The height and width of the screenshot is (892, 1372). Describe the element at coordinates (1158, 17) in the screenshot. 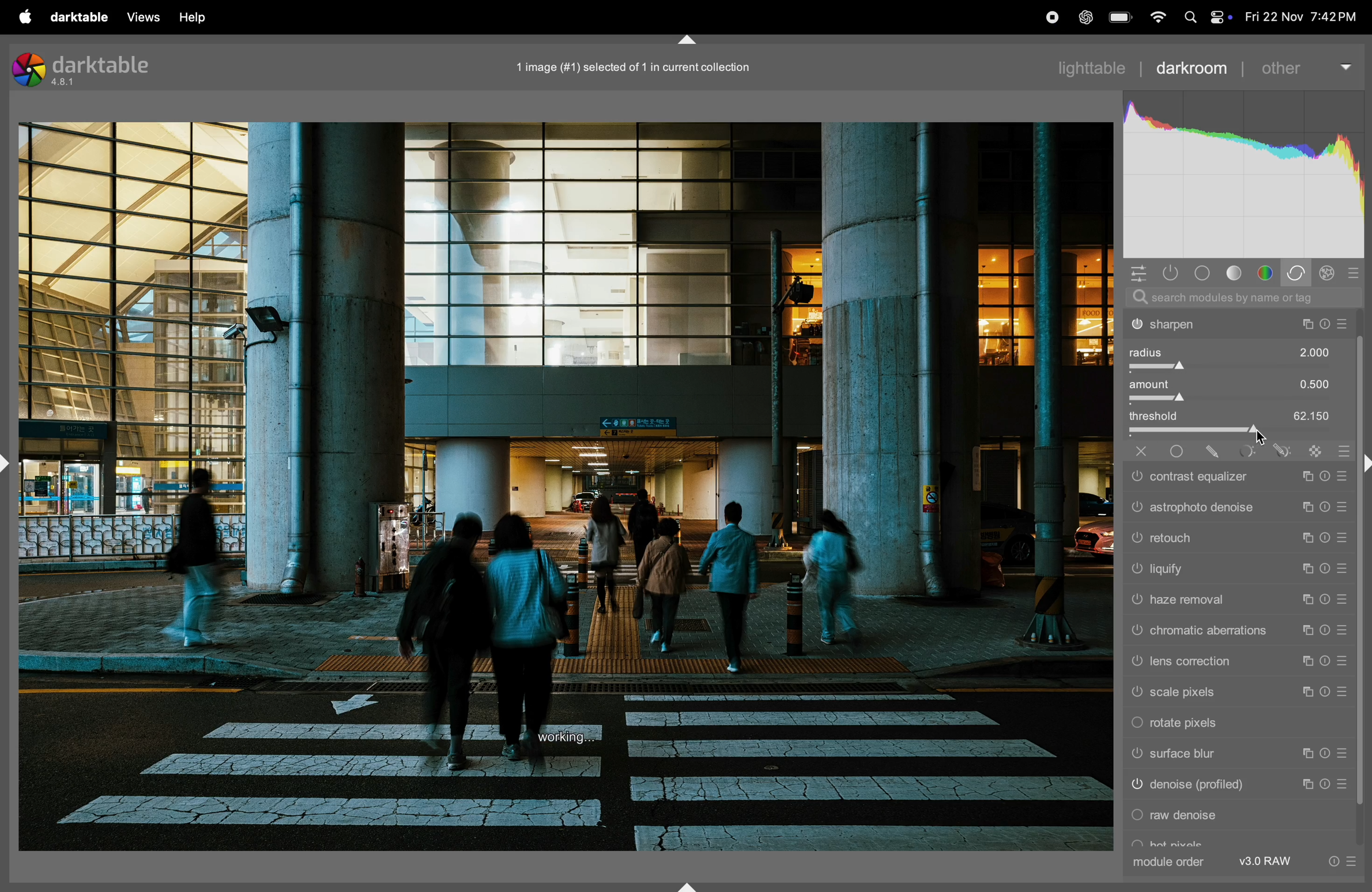

I see `wifi` at that location.